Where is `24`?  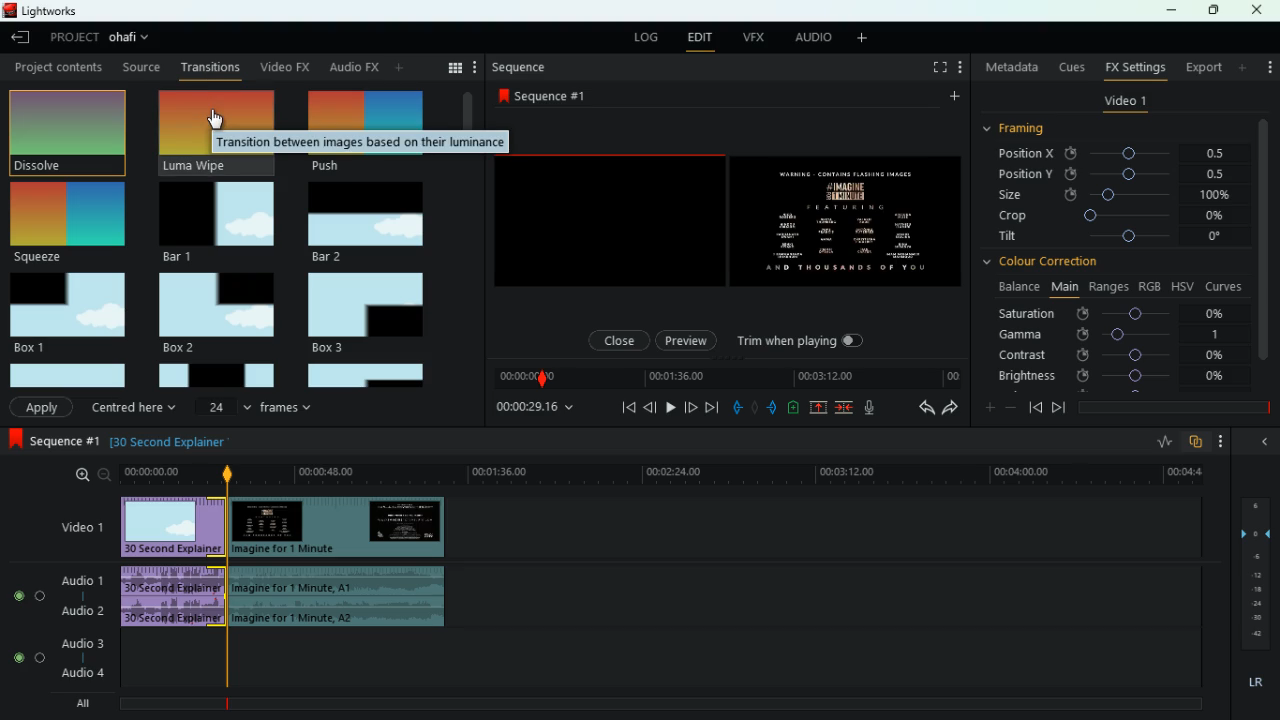 24 is located at coordinates (225, 406).